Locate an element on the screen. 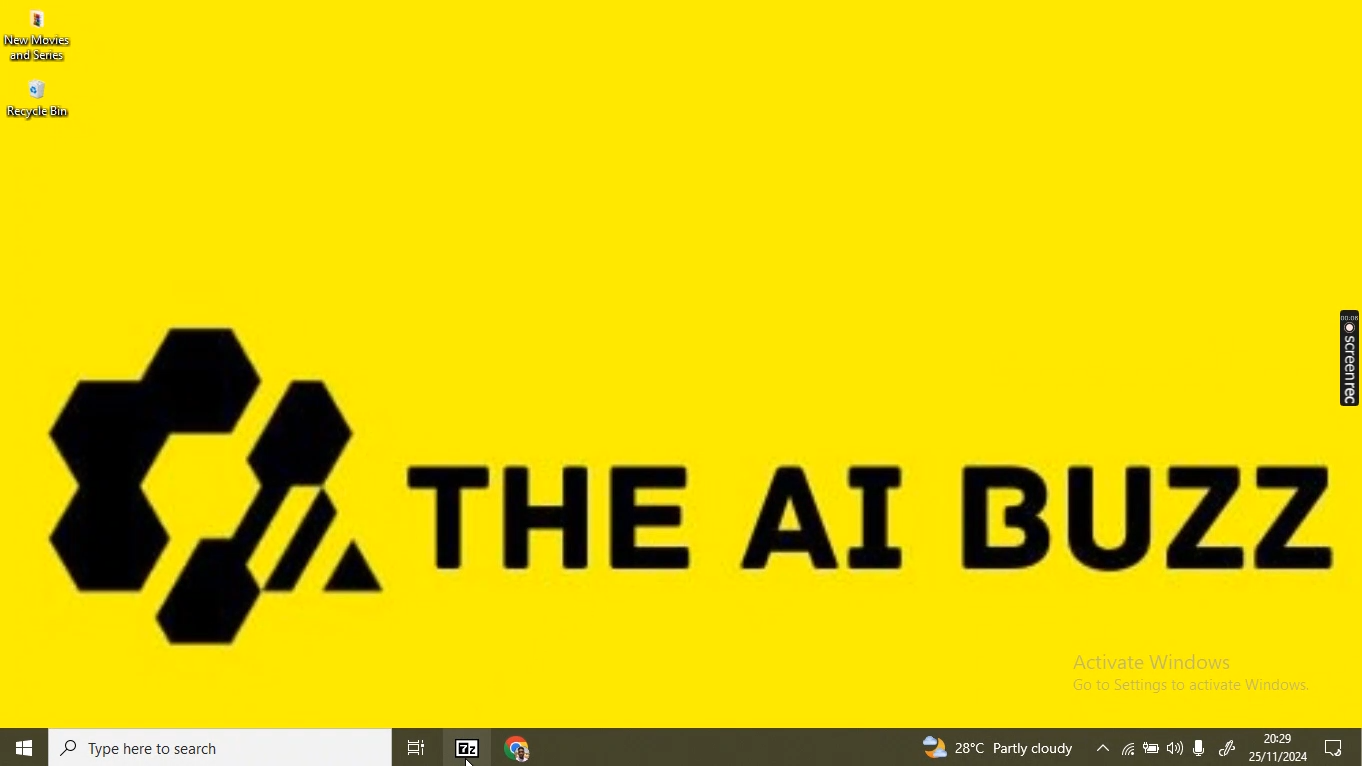 The image size is (1362, 766). notifications is located at coordinates (1334, 747).